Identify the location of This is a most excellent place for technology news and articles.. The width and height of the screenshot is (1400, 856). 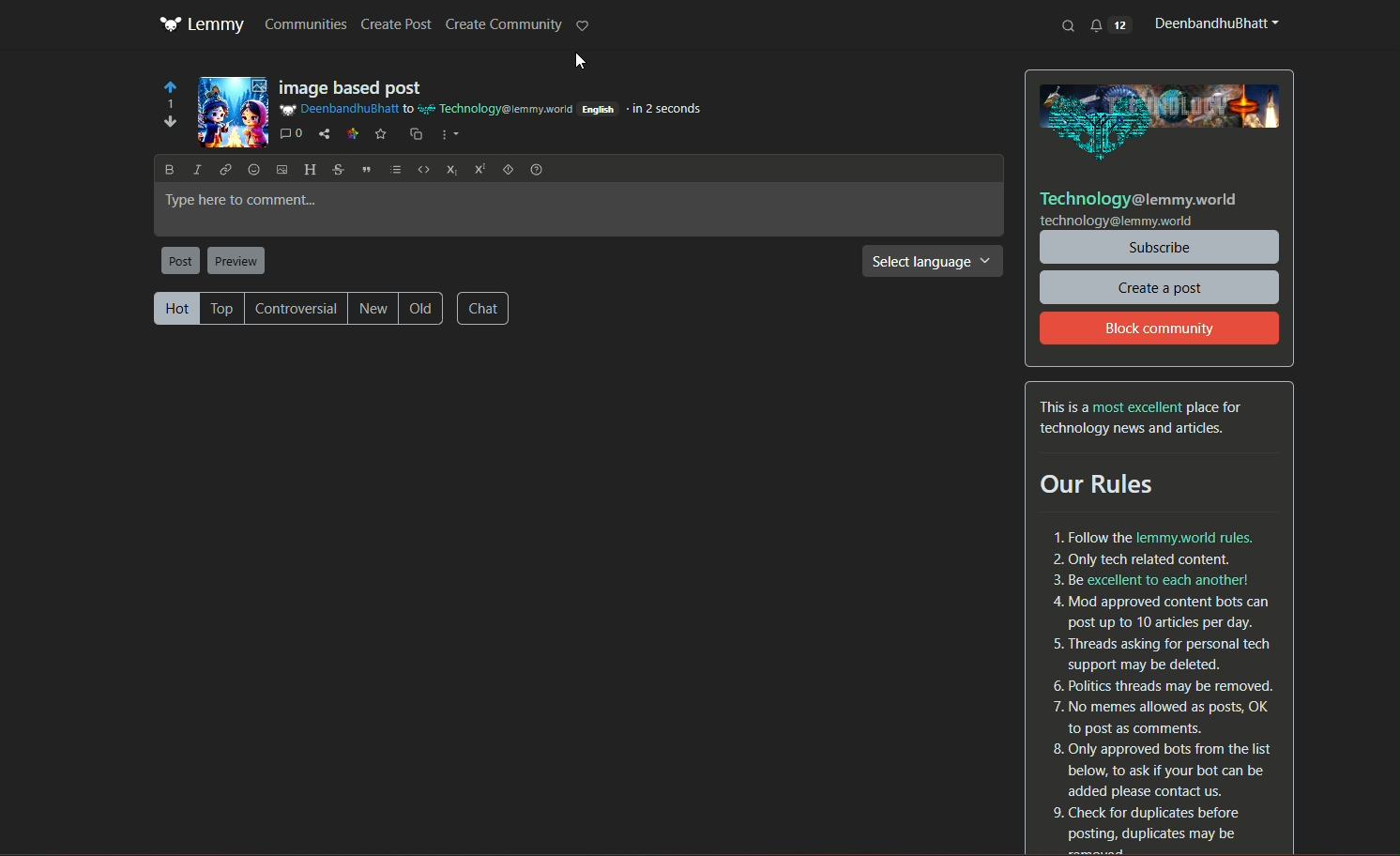
(1144, 418).